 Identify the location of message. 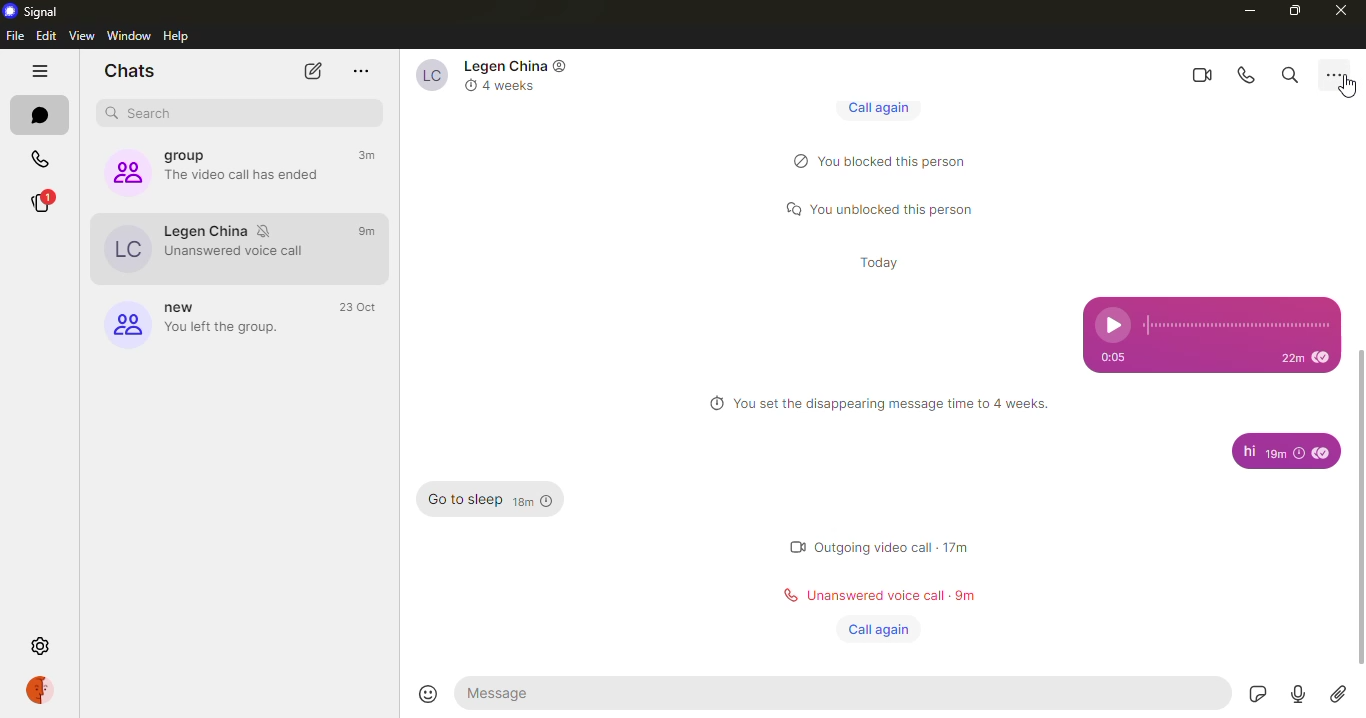
(462, 500).